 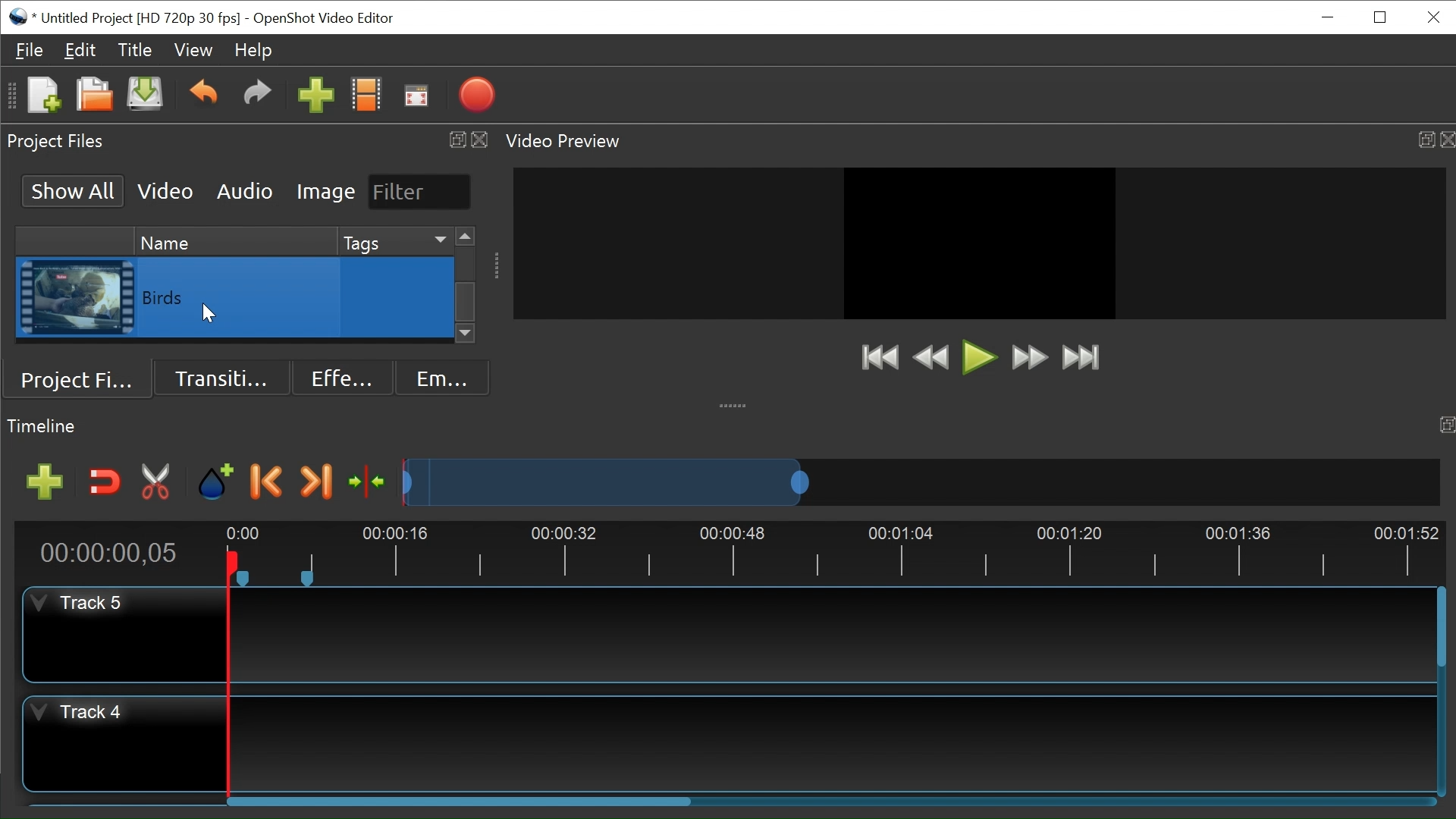 What do you see at coordinates (269, 484) in the screenshot?
I see `Previous marker` at bounding box center [269, 484].